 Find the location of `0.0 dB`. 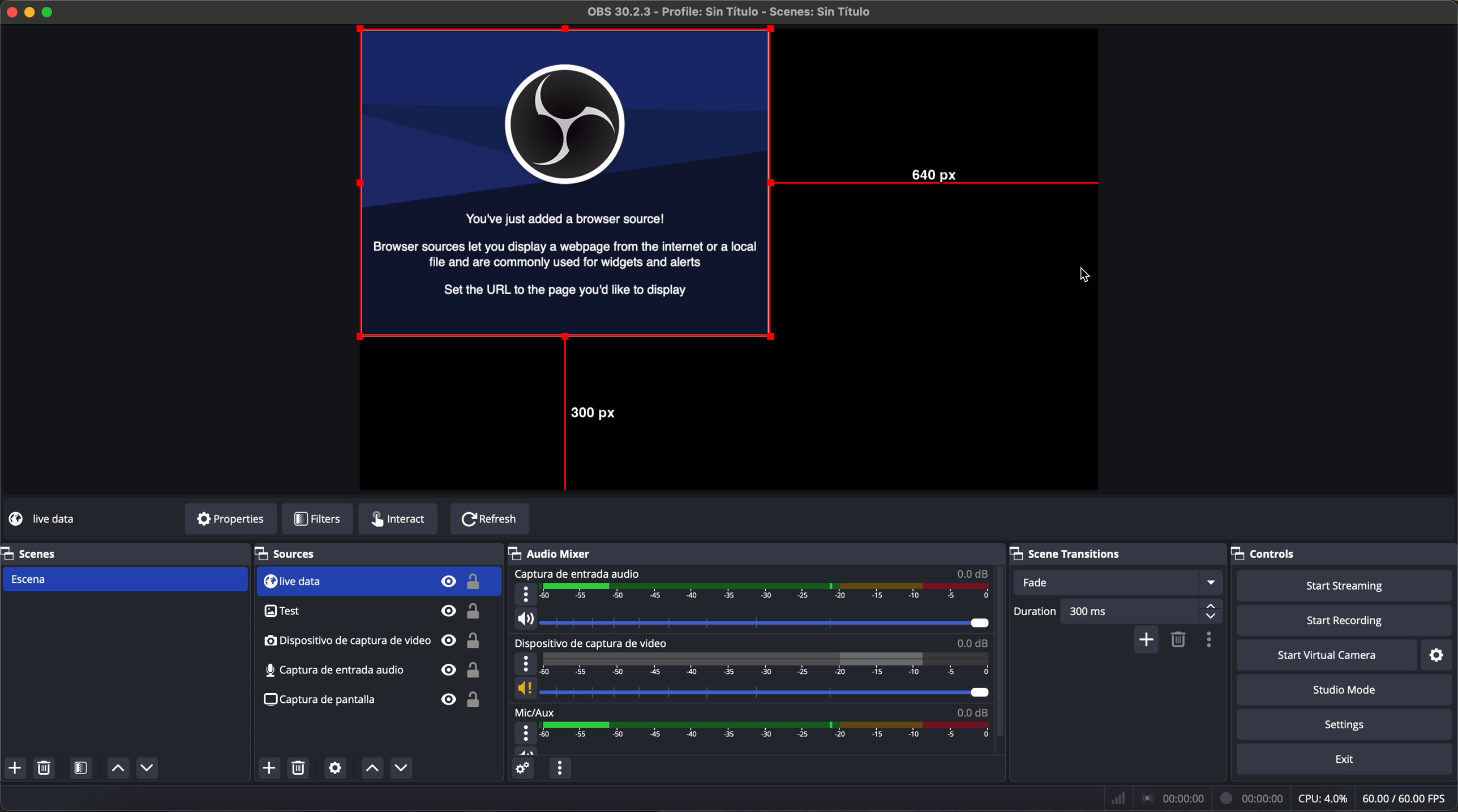

0.0 dB is located at coordinates (967, 643).